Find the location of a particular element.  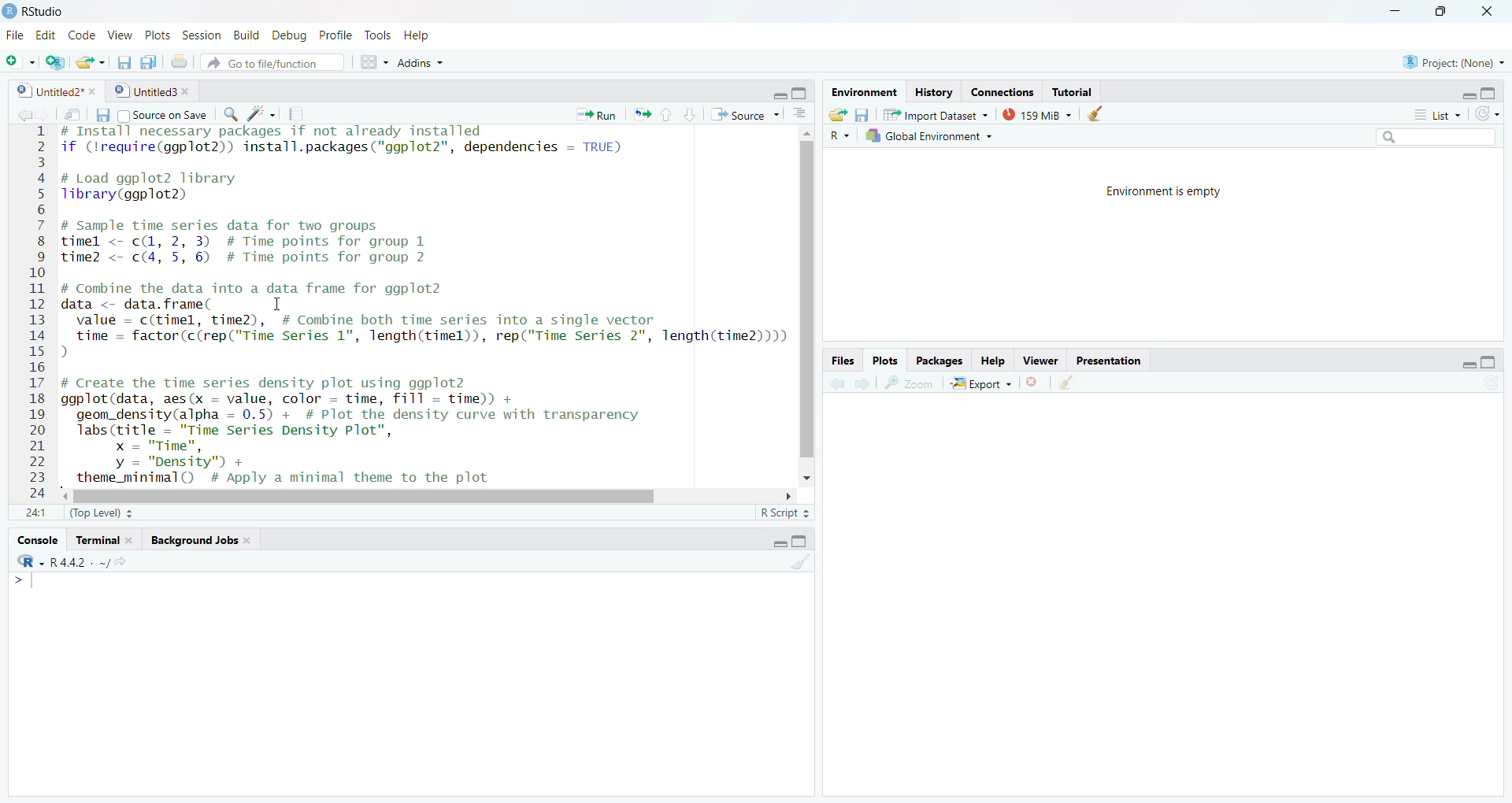

Clean is located at coordinates (799, 561).